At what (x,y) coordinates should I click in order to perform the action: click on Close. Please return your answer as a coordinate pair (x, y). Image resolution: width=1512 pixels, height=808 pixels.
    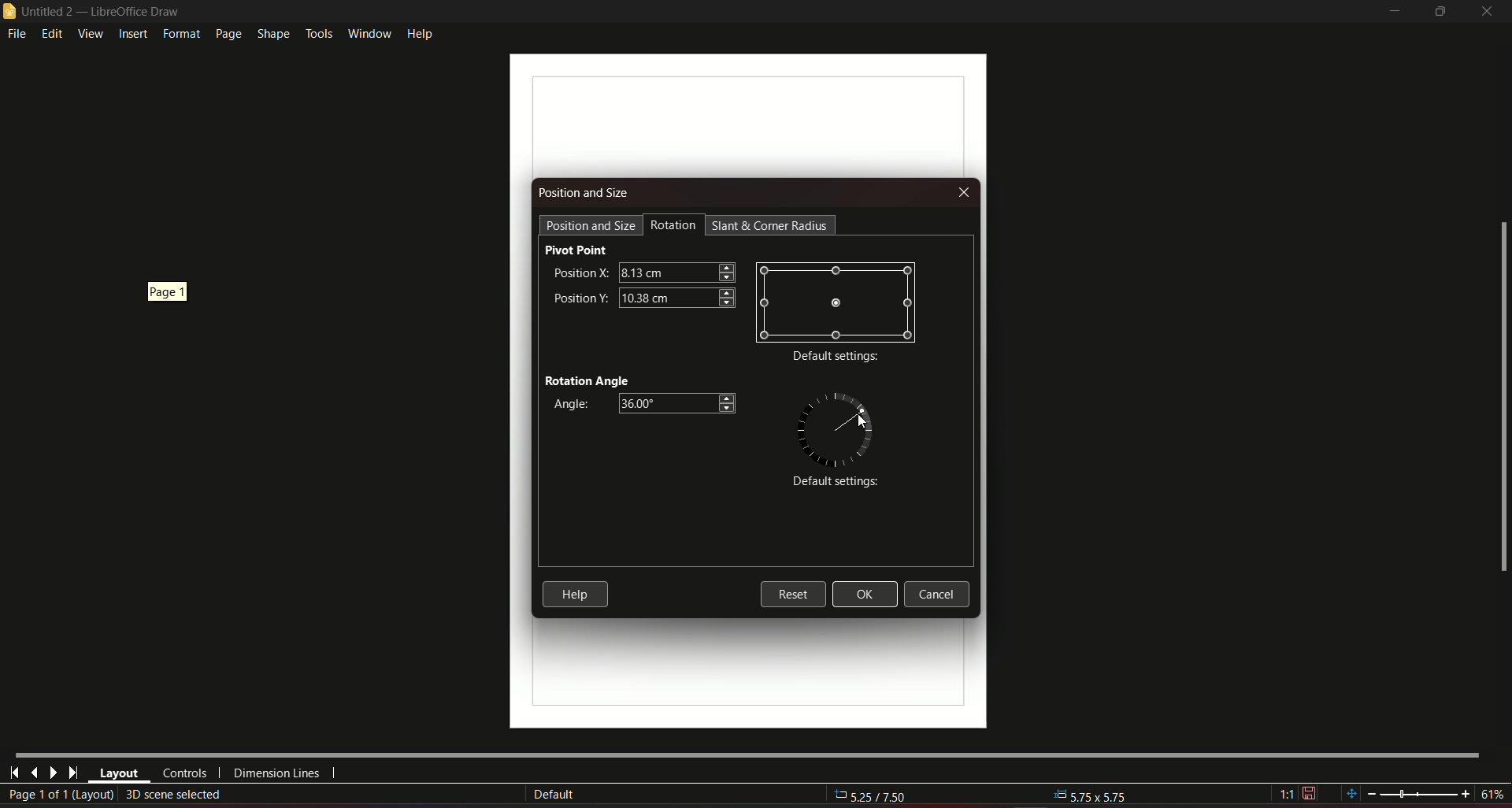
    Looking at the image, I should click on (962, 193).